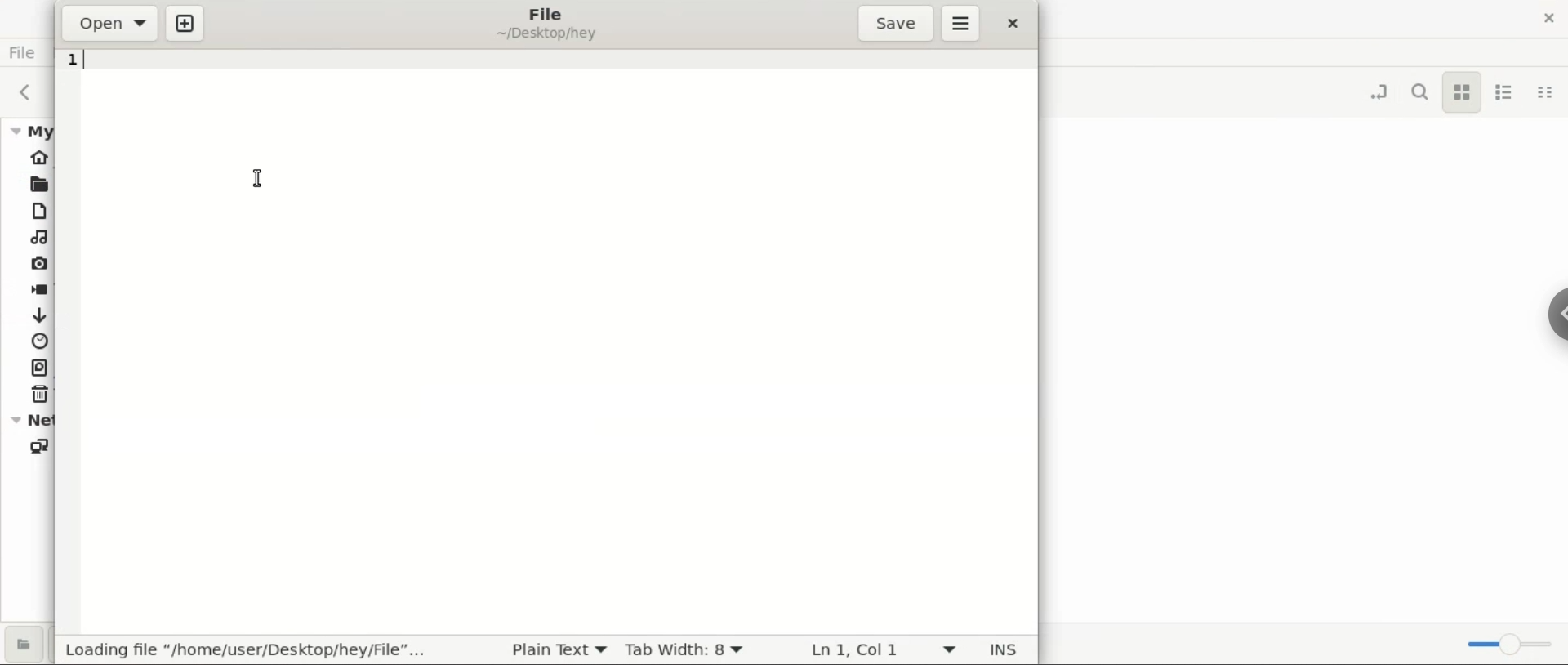 The image size is (1568, 665). Describe the element at coordinates (1508, 645) in the screenshot. I see `zoom` at that location.